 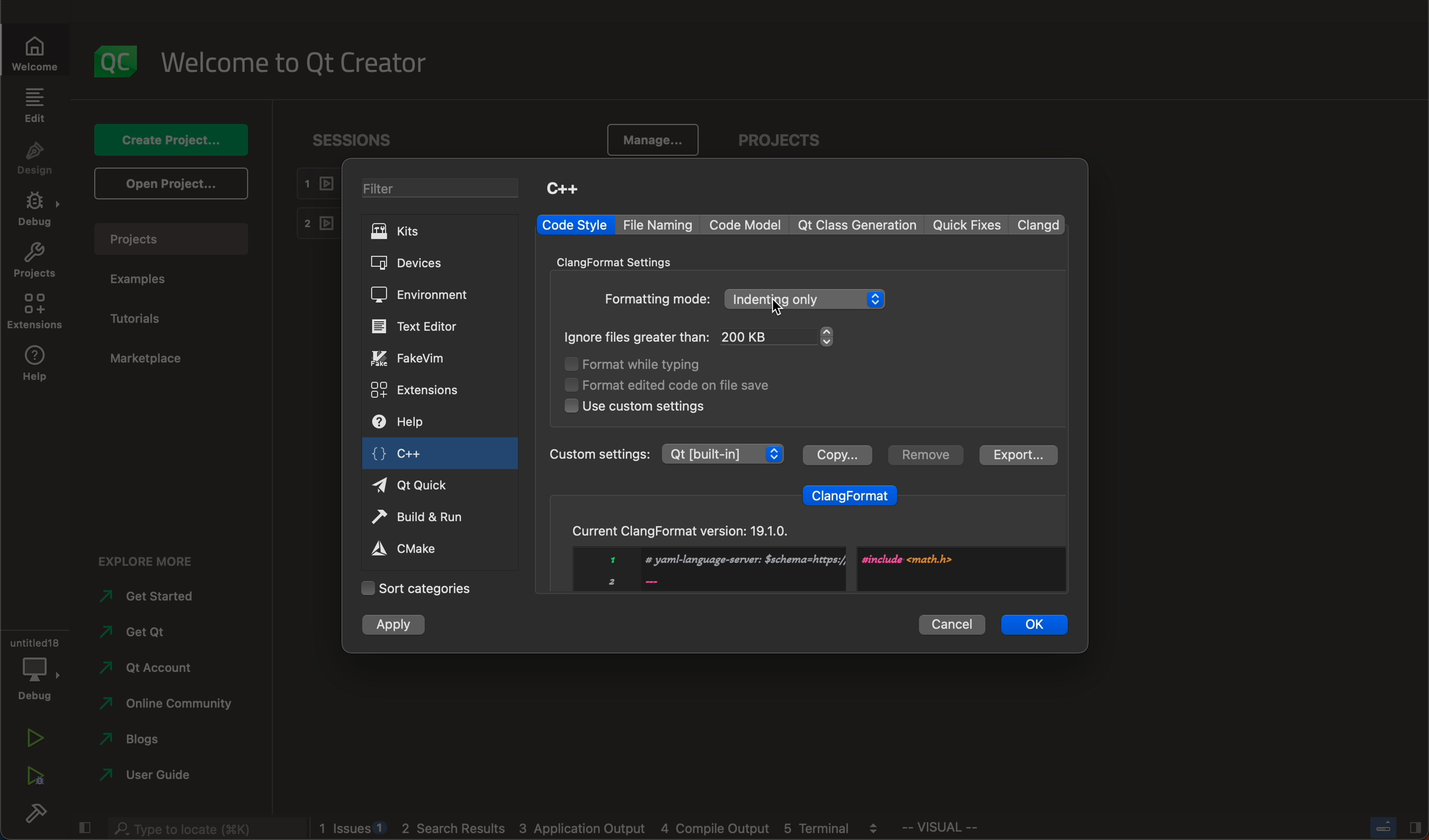 I want to click on format edited, so click(x=684, y=384).